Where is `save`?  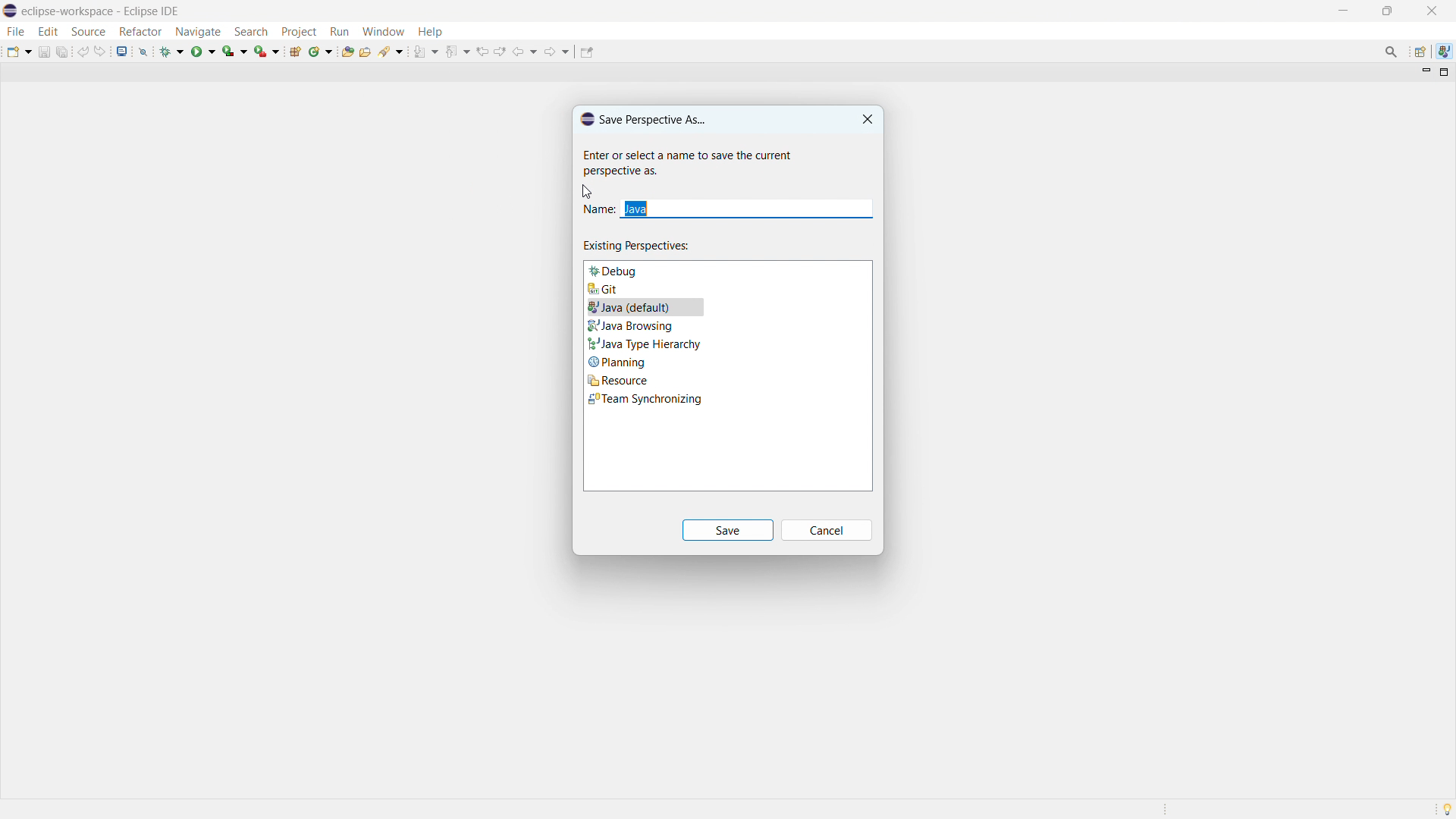 save is located at coordinates (44, 52).